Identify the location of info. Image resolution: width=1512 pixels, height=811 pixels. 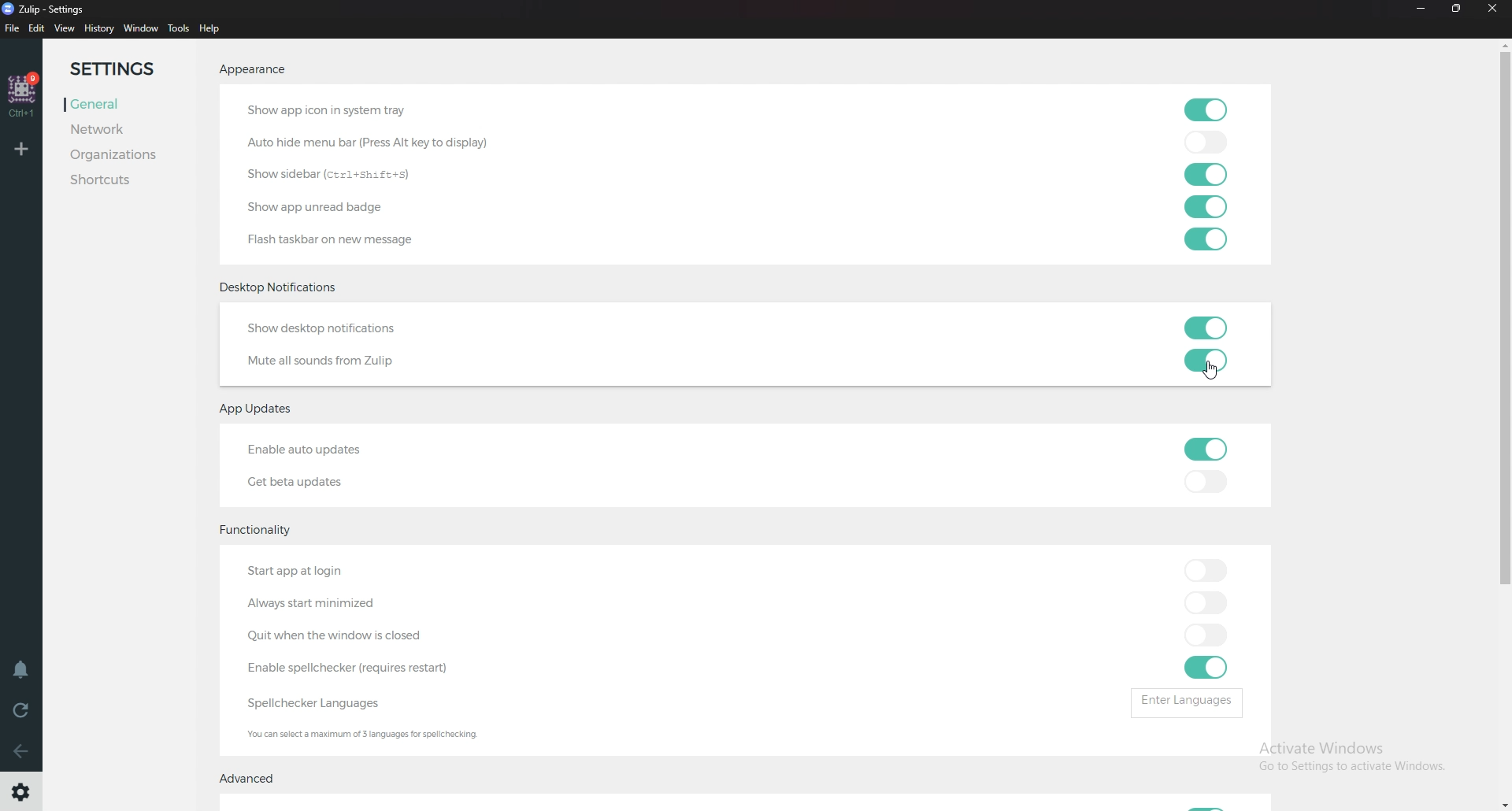
(369, 733).